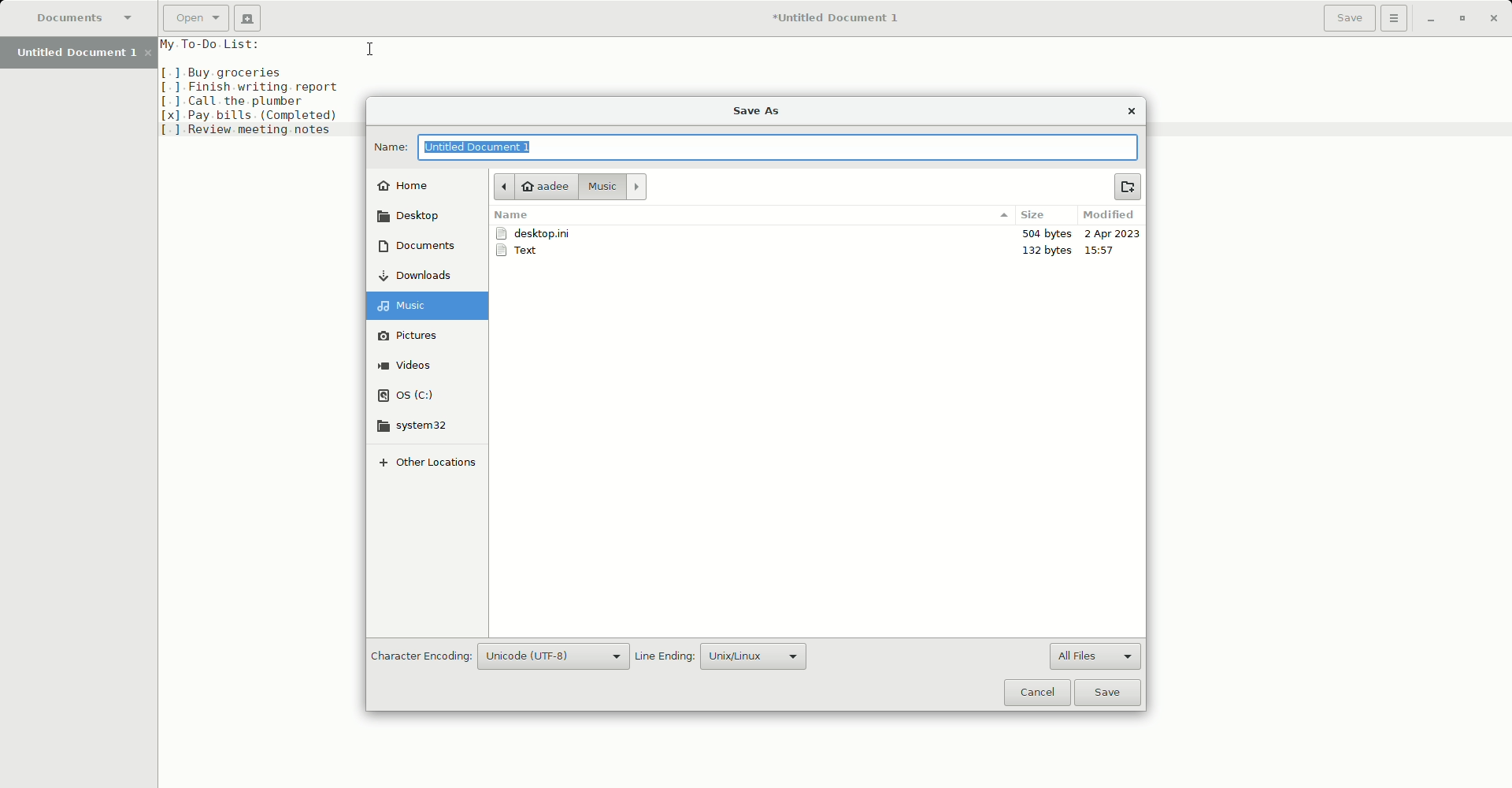  Describe the element at coordinates (248, 17) in the screenshot. I see `New` at that location.